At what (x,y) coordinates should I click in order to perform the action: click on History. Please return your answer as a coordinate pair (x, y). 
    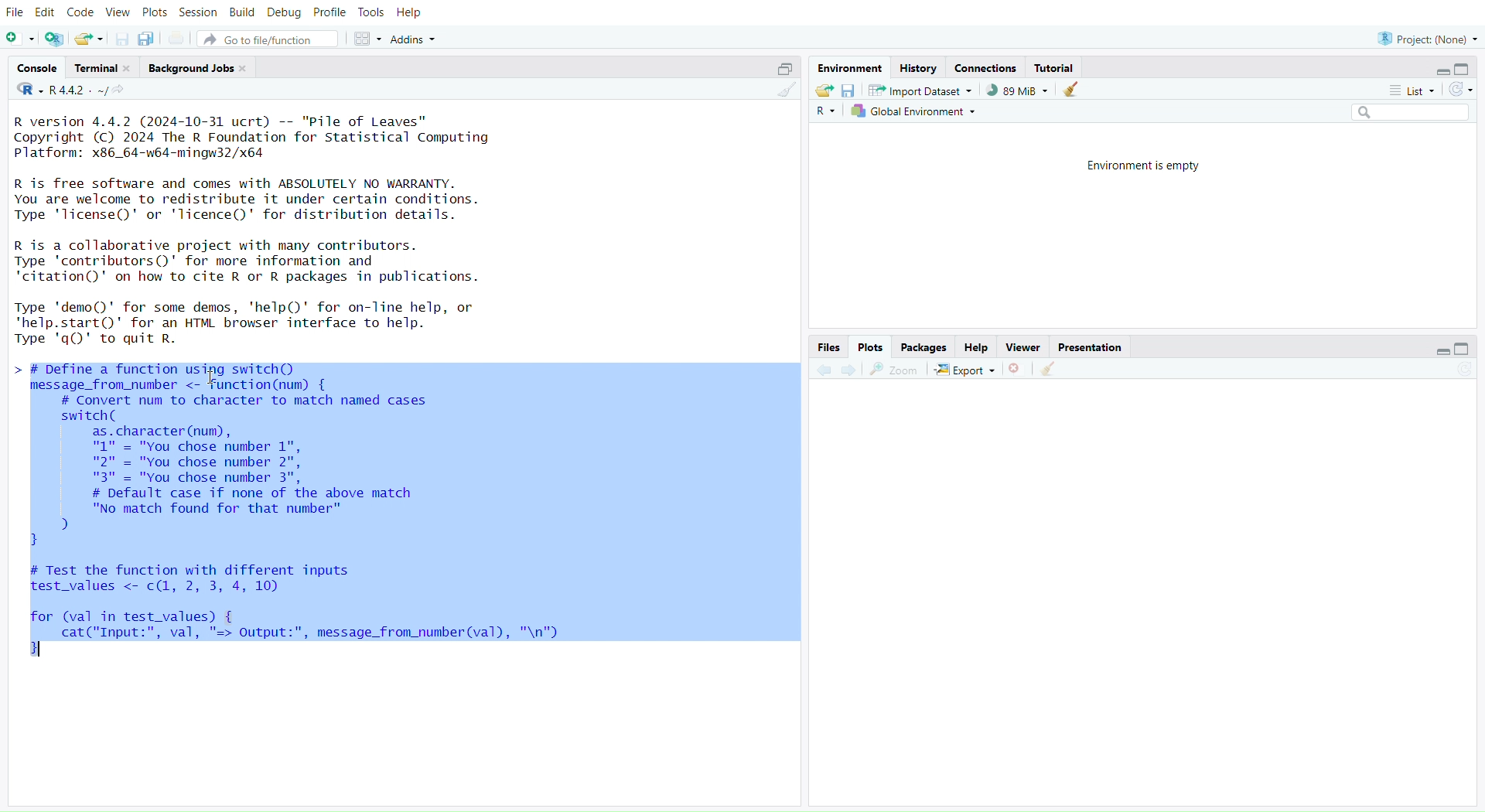
    Looking at the image, I should click on (920, 67).